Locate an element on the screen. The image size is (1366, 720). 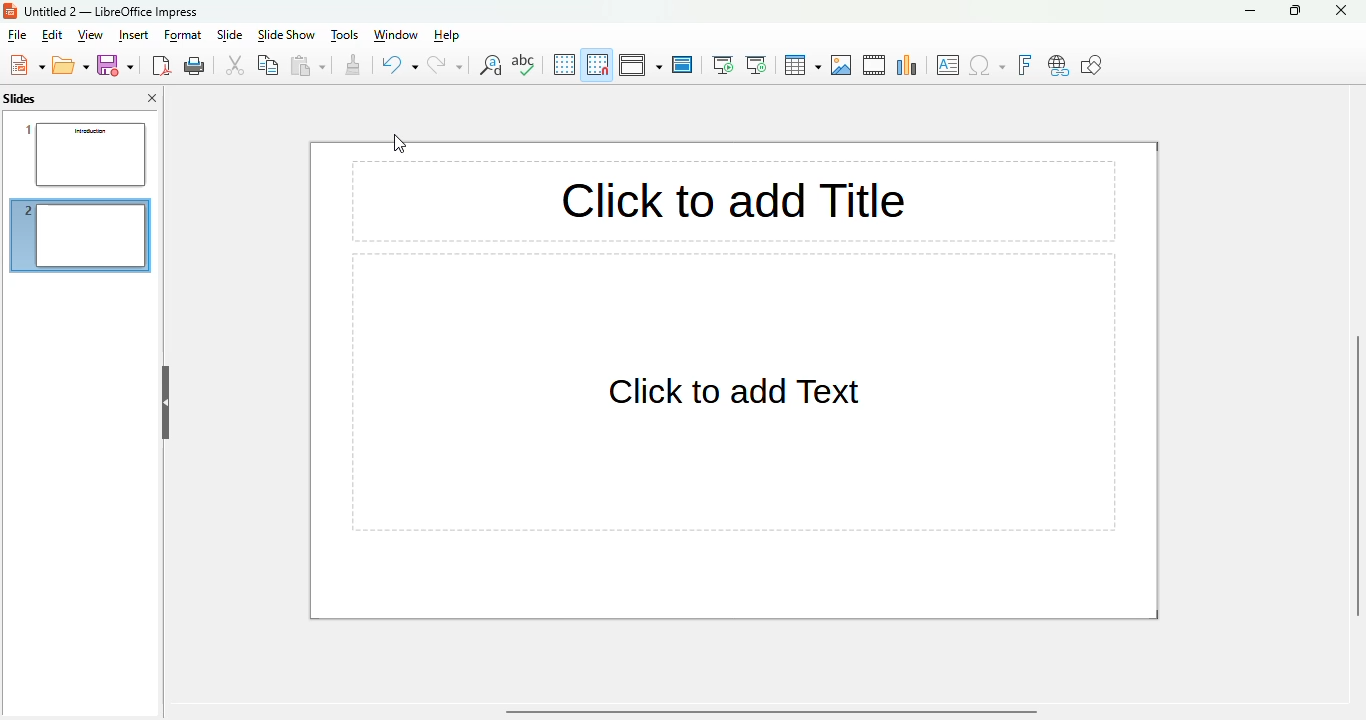
slide 1 selected is located at coordinates (80, 151).